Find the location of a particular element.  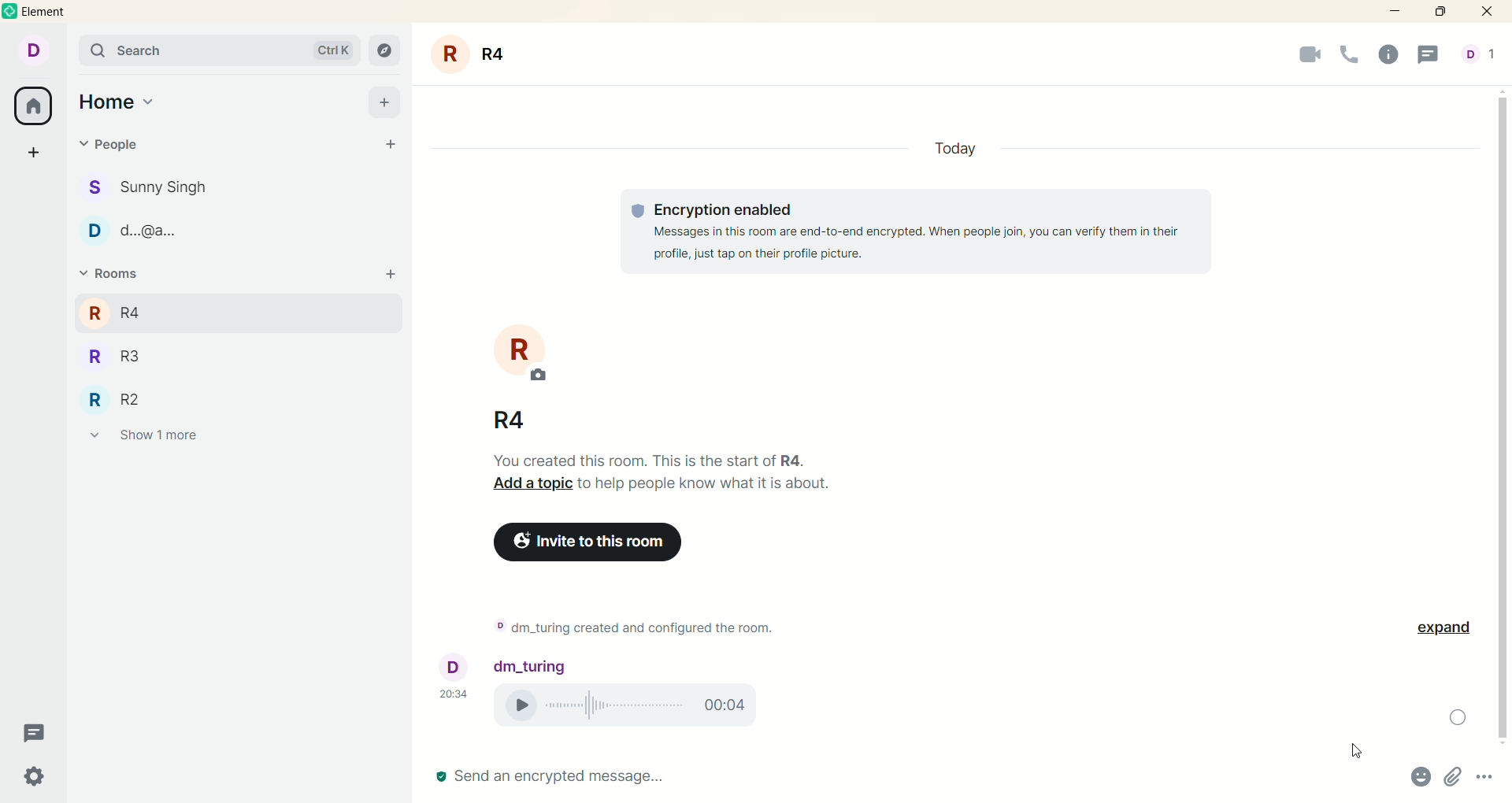

voice call is located at coordinates (1350, 56).